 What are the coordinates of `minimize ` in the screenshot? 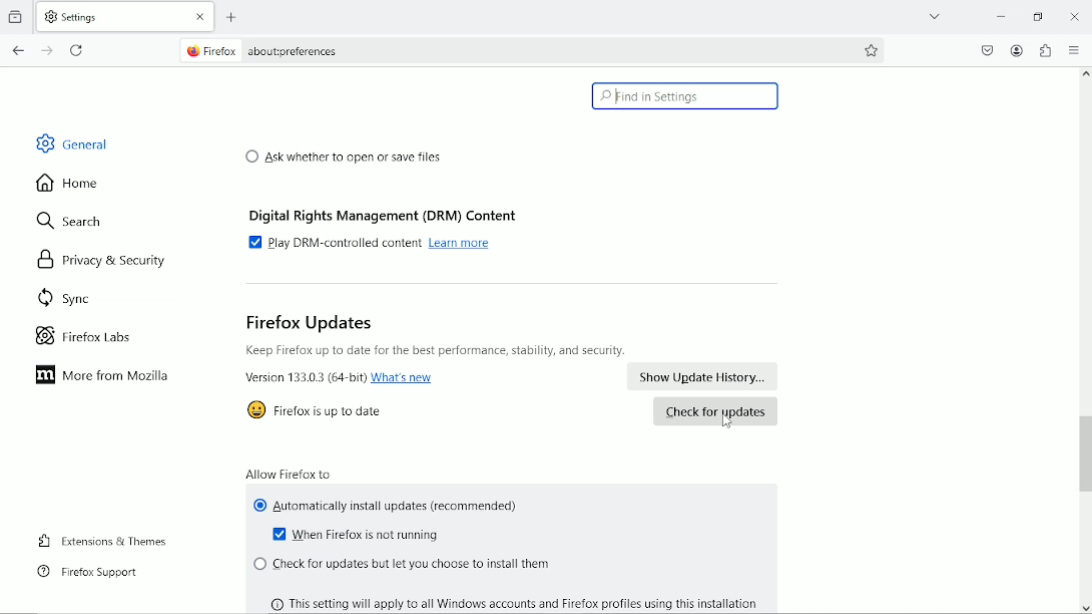 It's located at (998, 15).